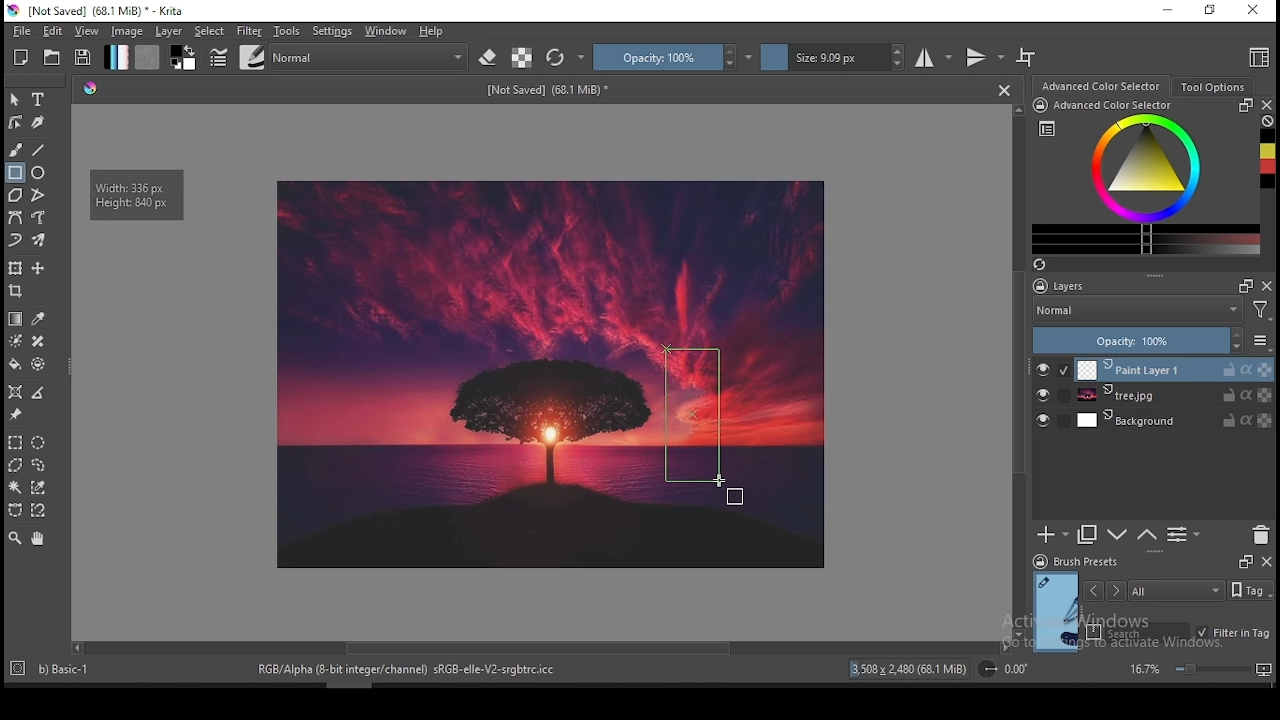  I want to click on search, so click(1138, 631).